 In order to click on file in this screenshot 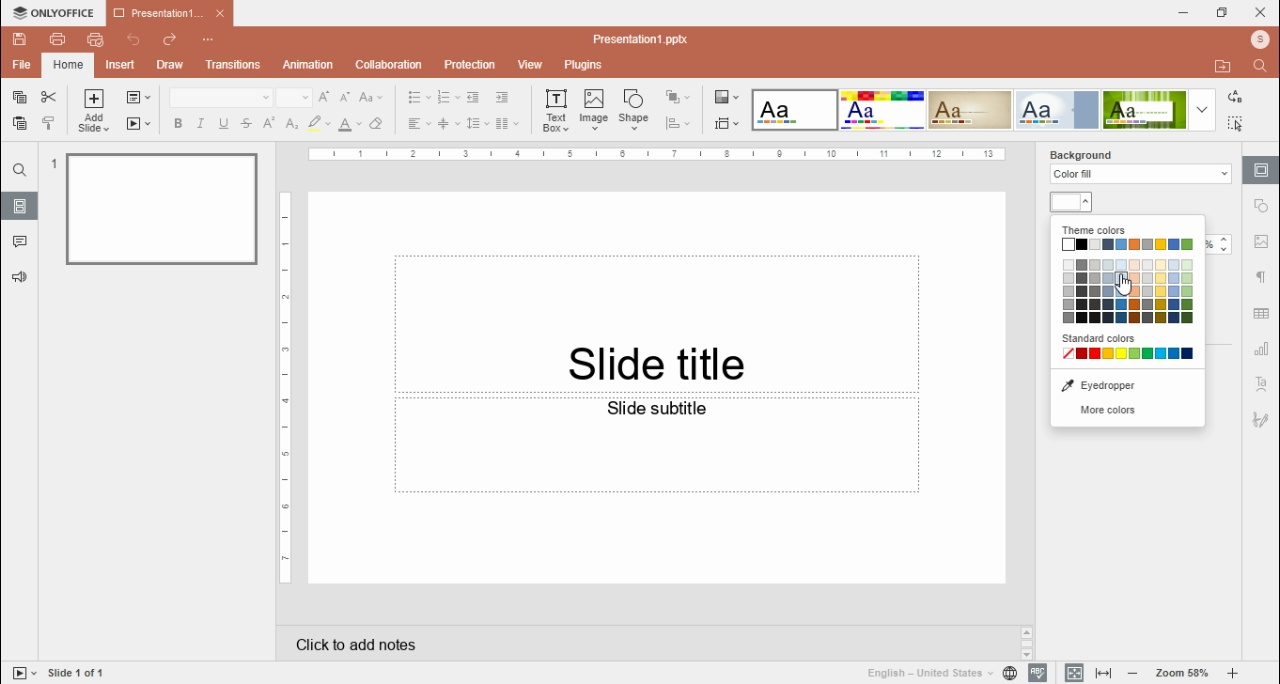, I will do `click(21, 65)`.